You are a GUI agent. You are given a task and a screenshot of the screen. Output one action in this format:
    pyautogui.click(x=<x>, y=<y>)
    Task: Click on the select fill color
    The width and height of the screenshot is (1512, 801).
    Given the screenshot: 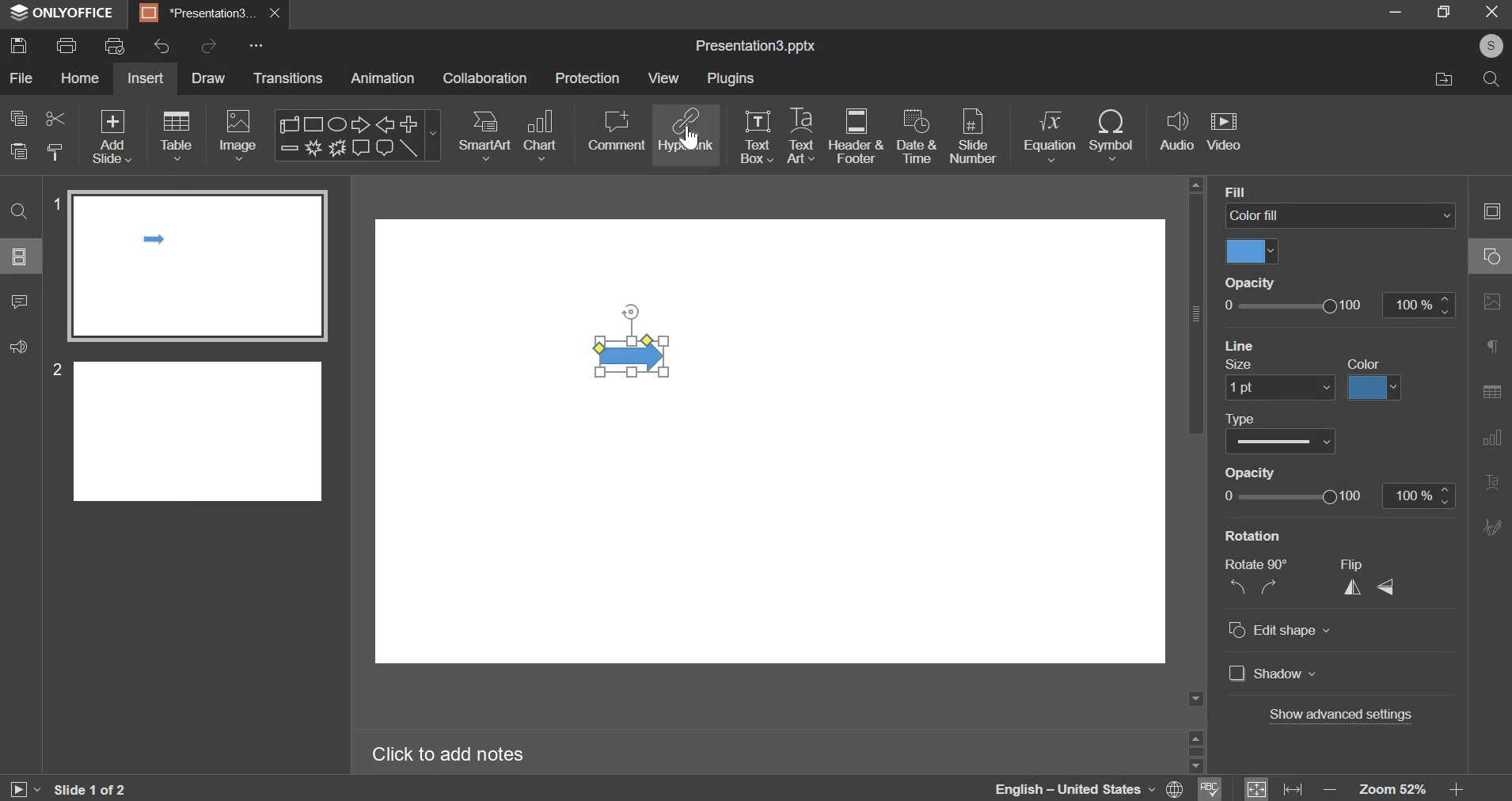 What is the action you would take?
    pyautogui.click(x=1252, y=252)
    